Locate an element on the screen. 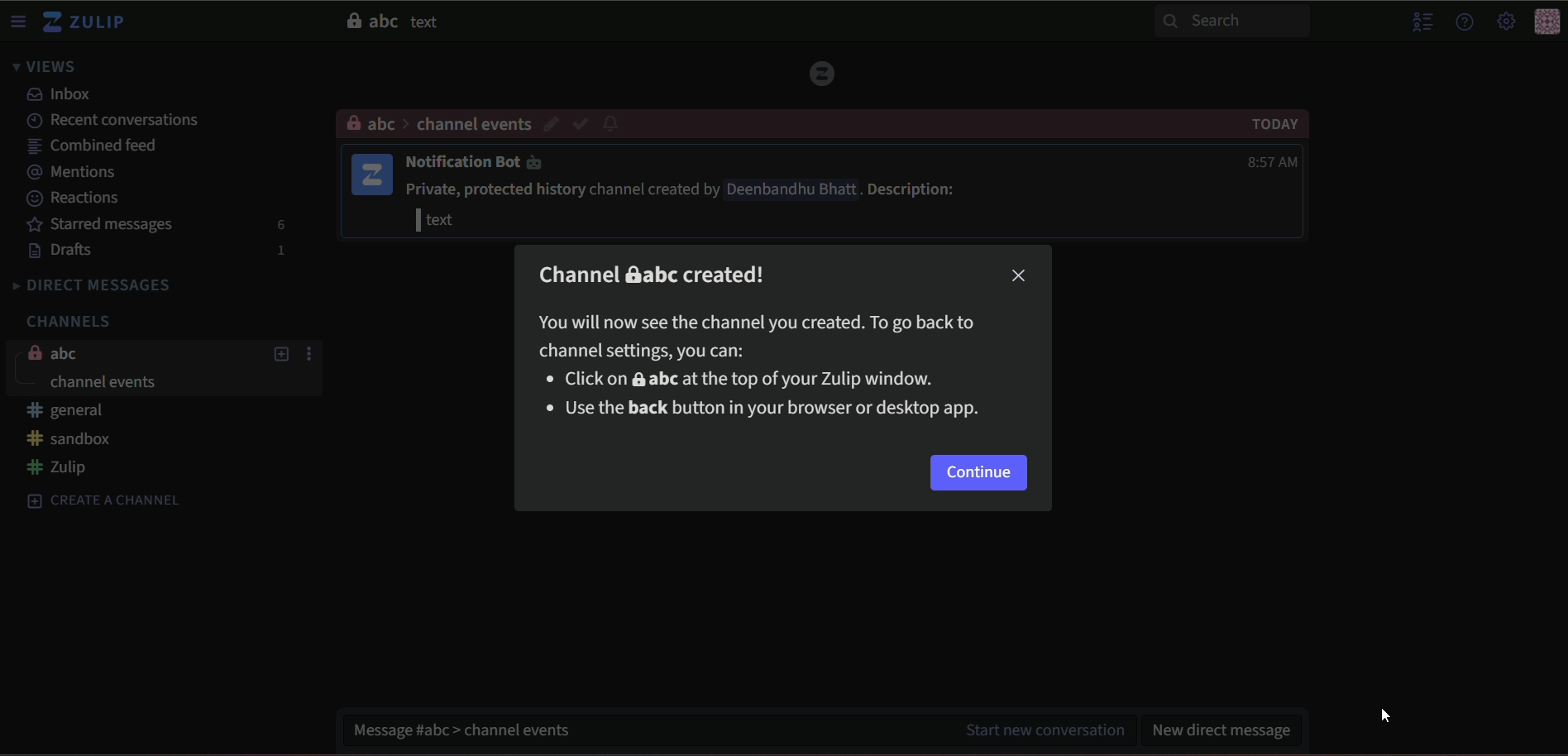 The height and width of the screenshot is (756, 1568). hide menu is located at coordinates (1421, 22).